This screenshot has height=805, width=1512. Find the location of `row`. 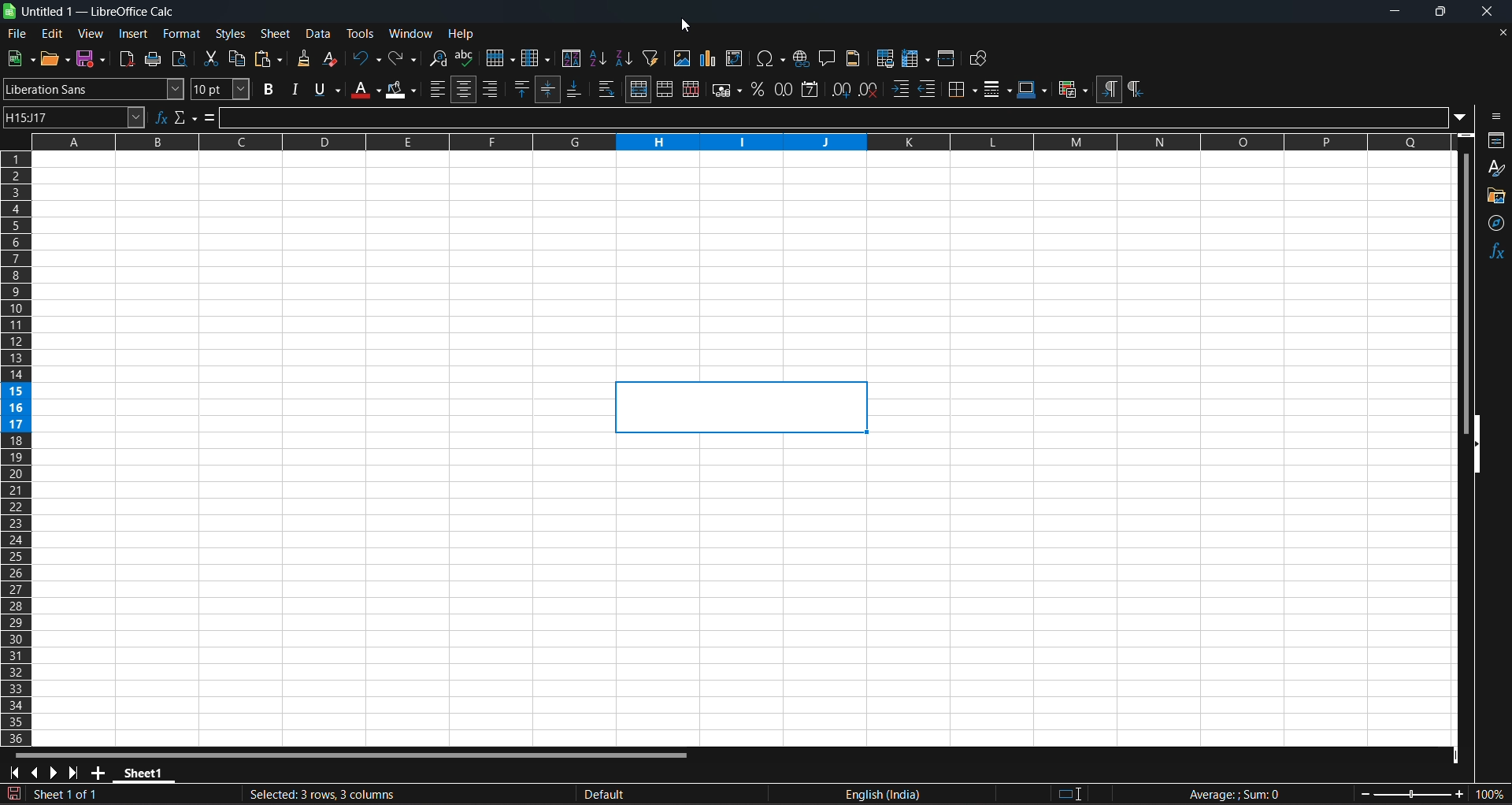

row is located at coordinates (498, 57).